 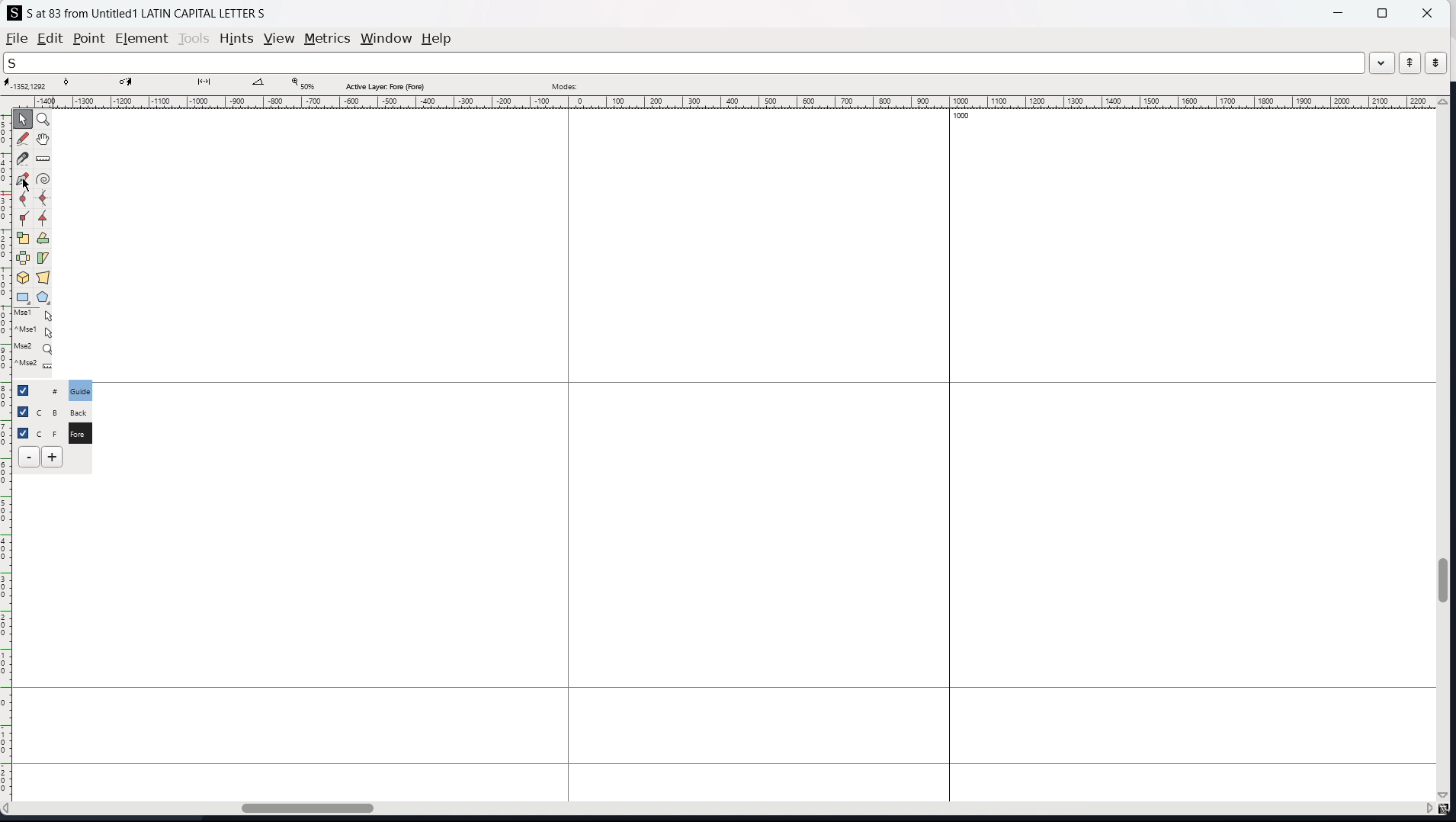 I want to click on view, so click(x=279, y=39).